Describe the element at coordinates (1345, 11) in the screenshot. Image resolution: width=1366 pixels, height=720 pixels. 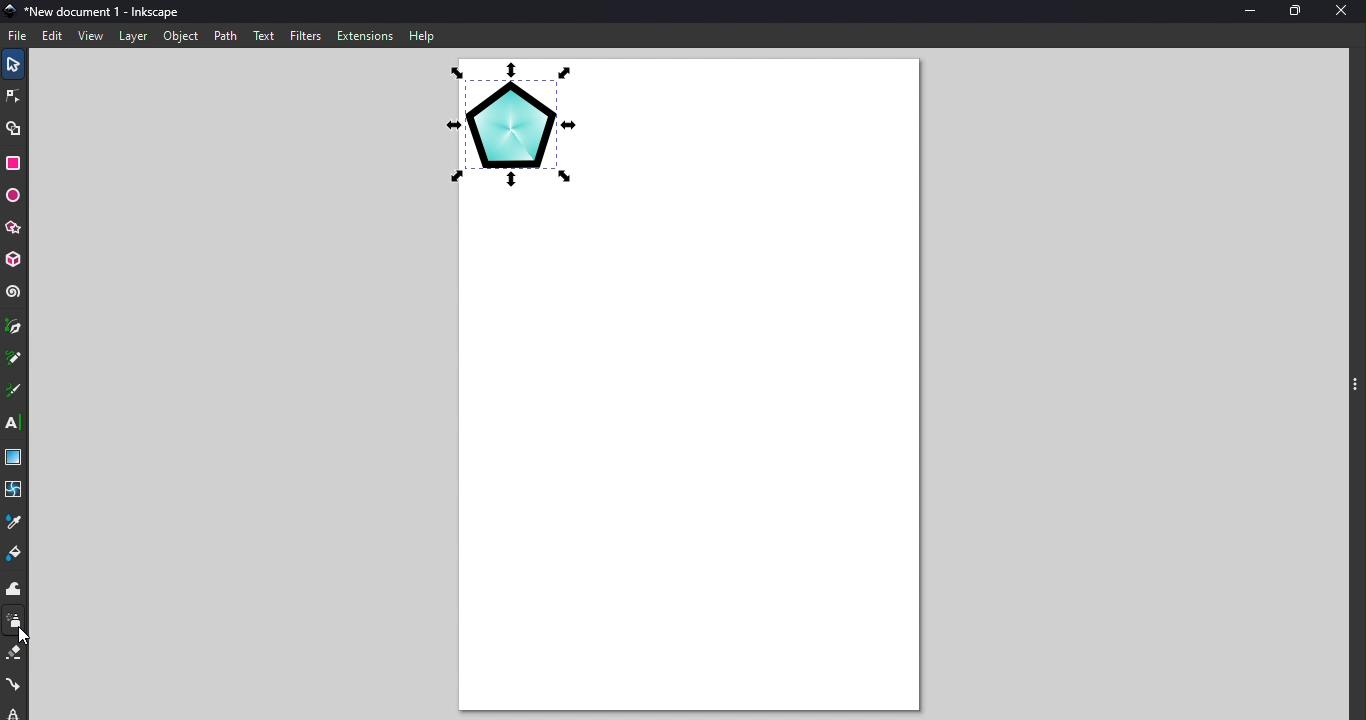
I see `Close` at that location.